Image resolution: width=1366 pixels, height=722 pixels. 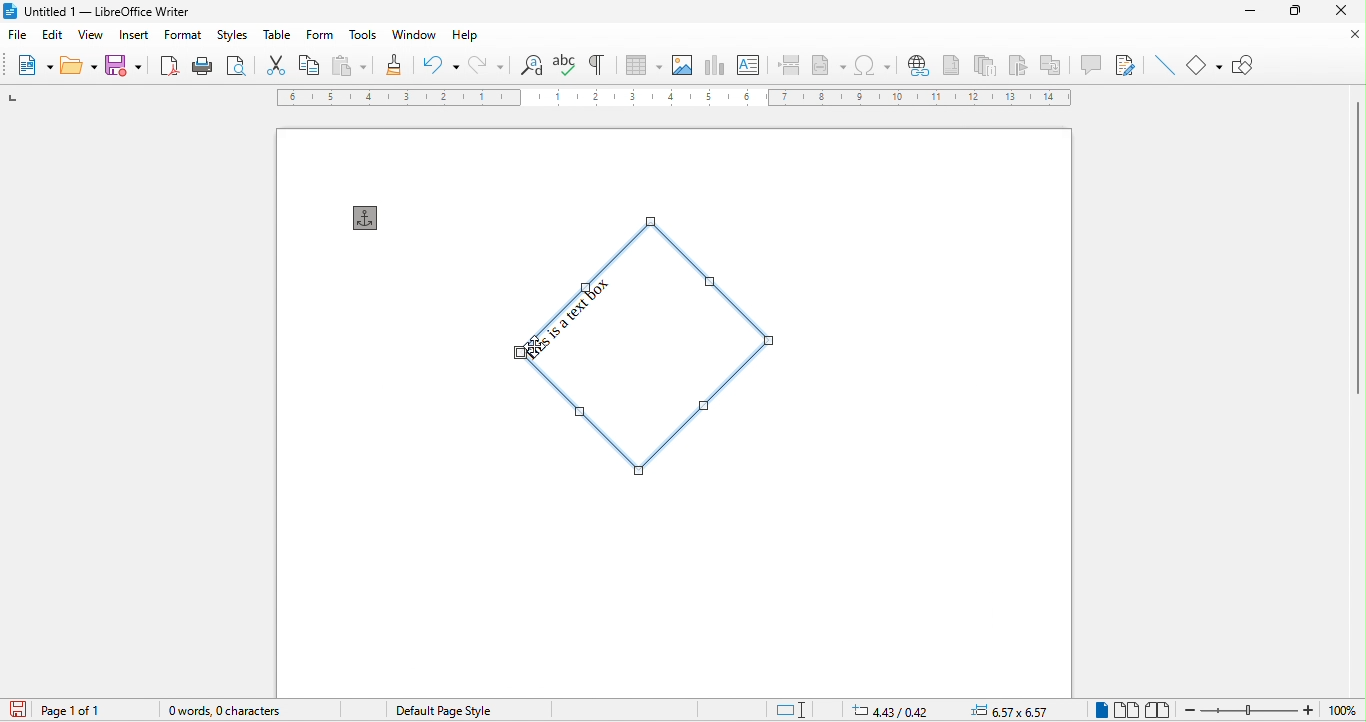 What do you see at coordinates (55, 35) in the screenshot?
I see `edit` at bounding box center [55, 35].